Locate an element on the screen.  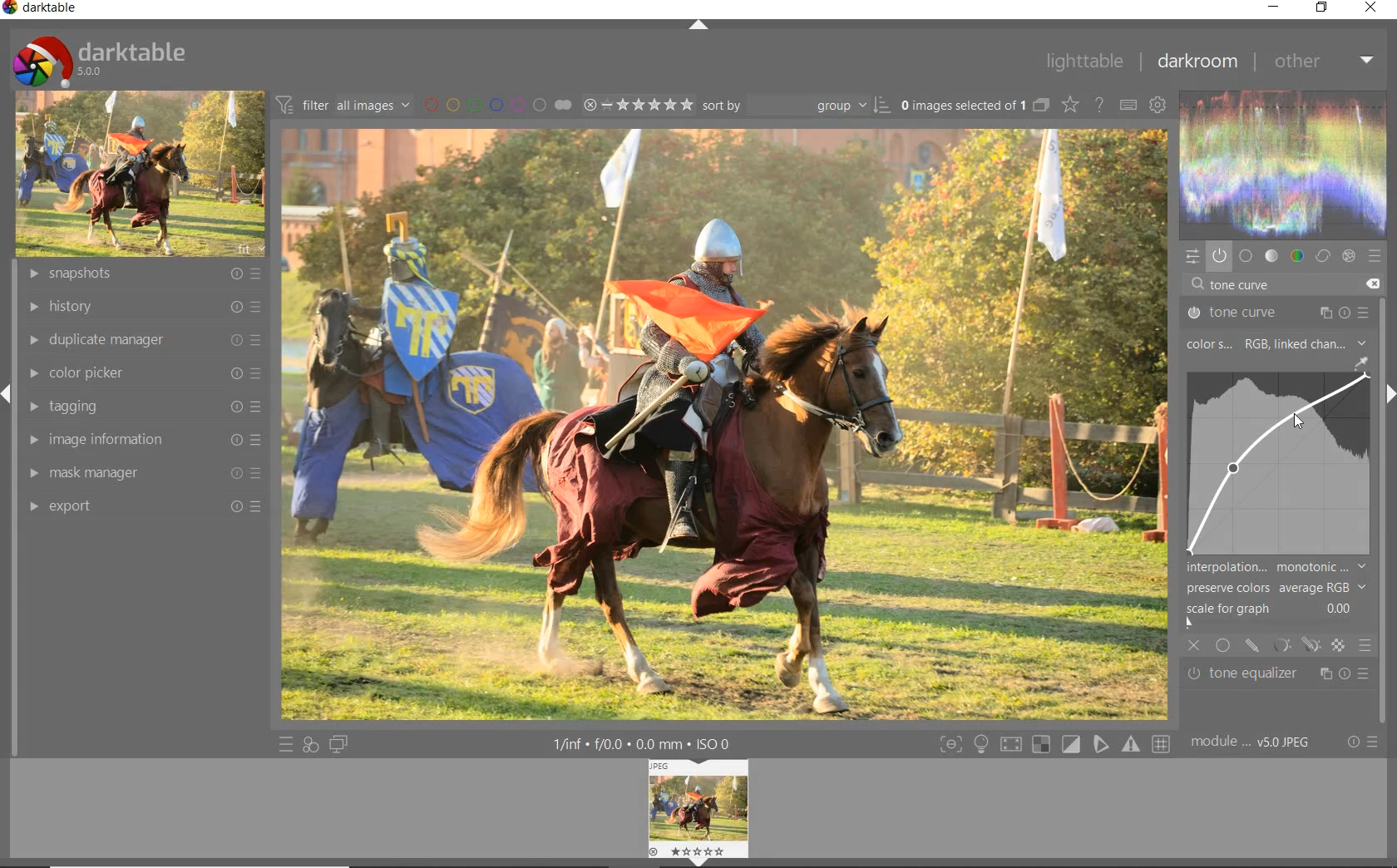
color picker is located at coordinates (142, 374).